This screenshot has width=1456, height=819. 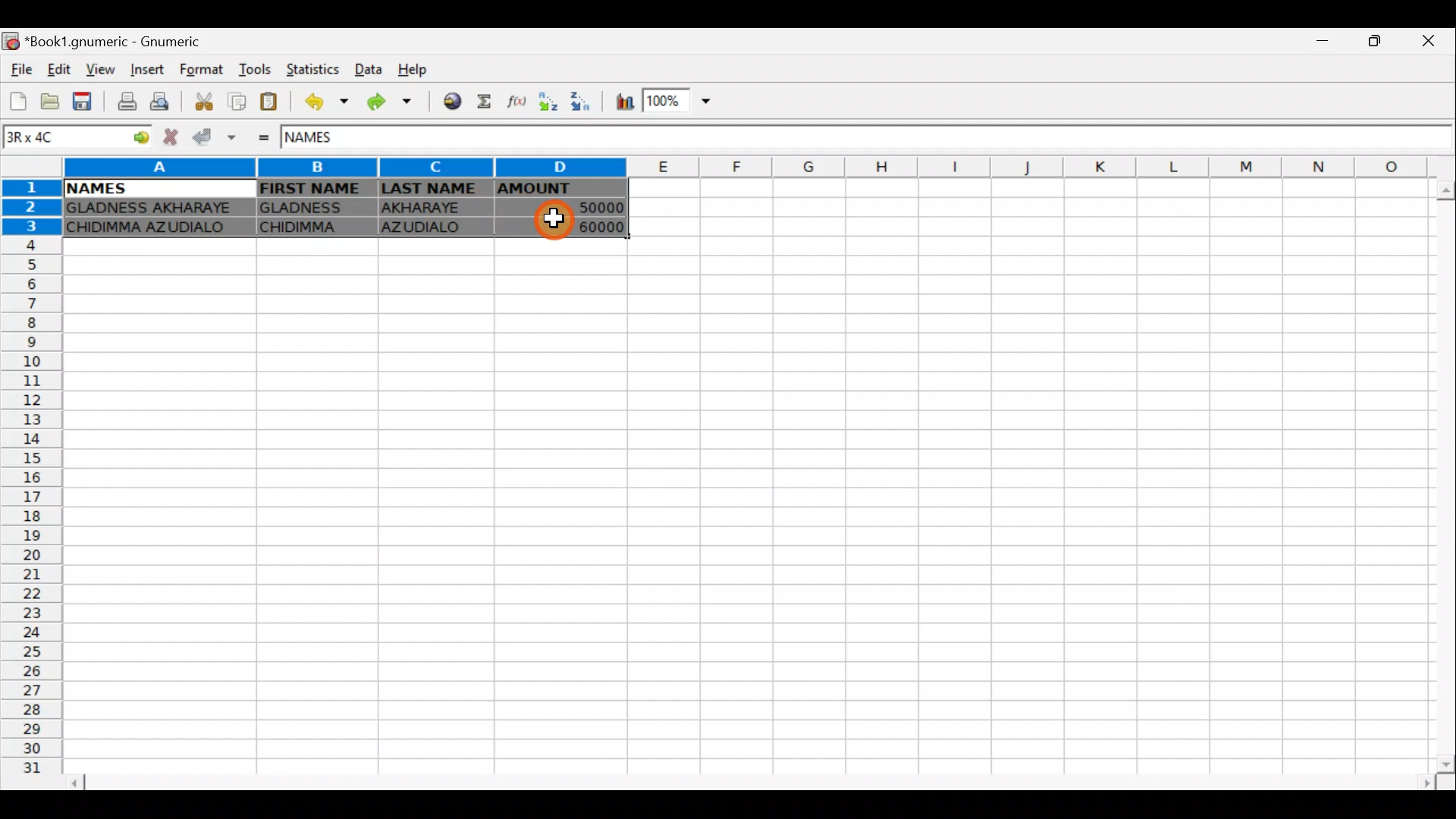 What do you see at coordinates (128, 99) in the screenshot?
I see `Print current file` at bounding box center [128, 99].